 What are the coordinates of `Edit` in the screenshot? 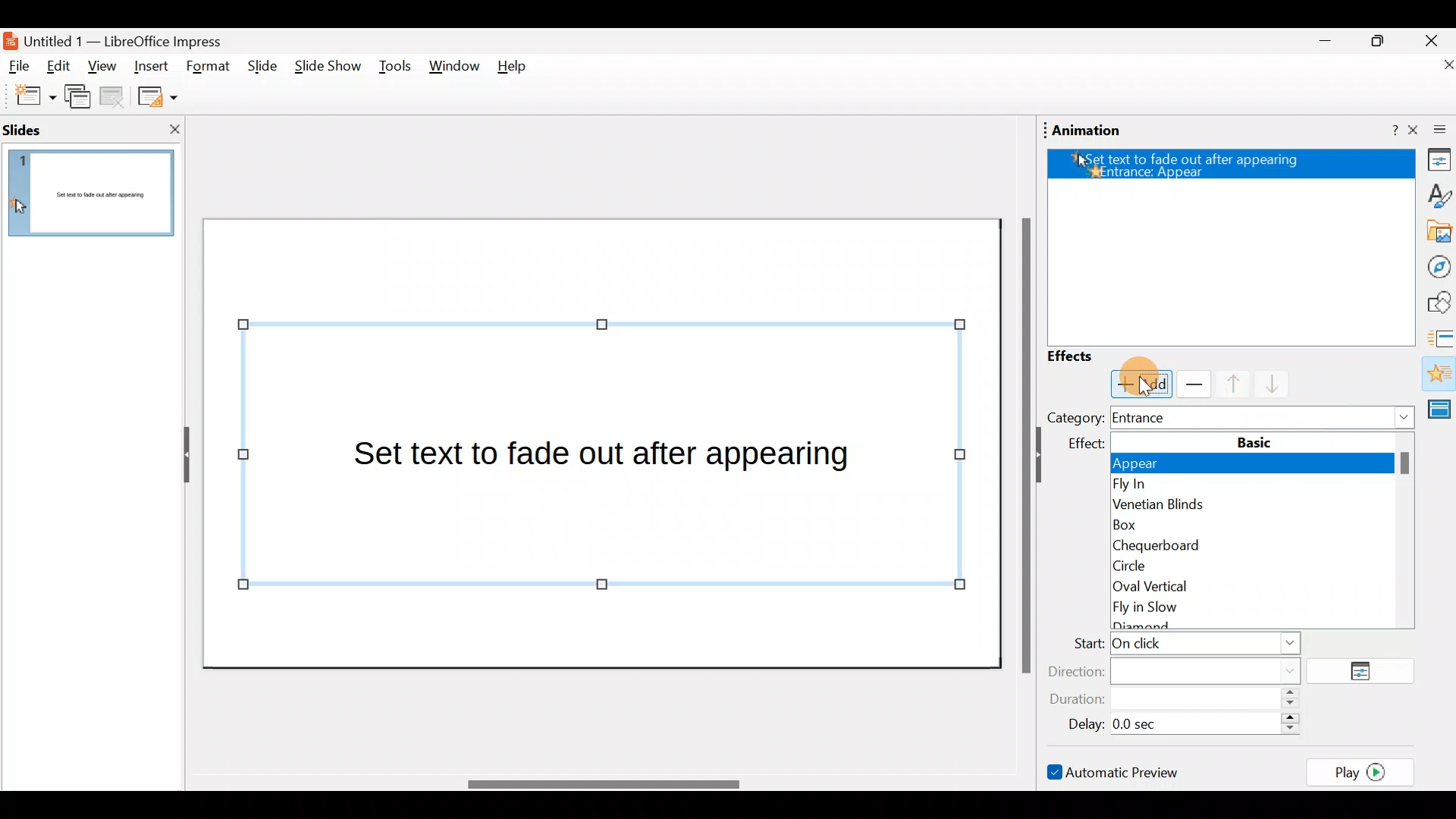 It's located at (64, 67).